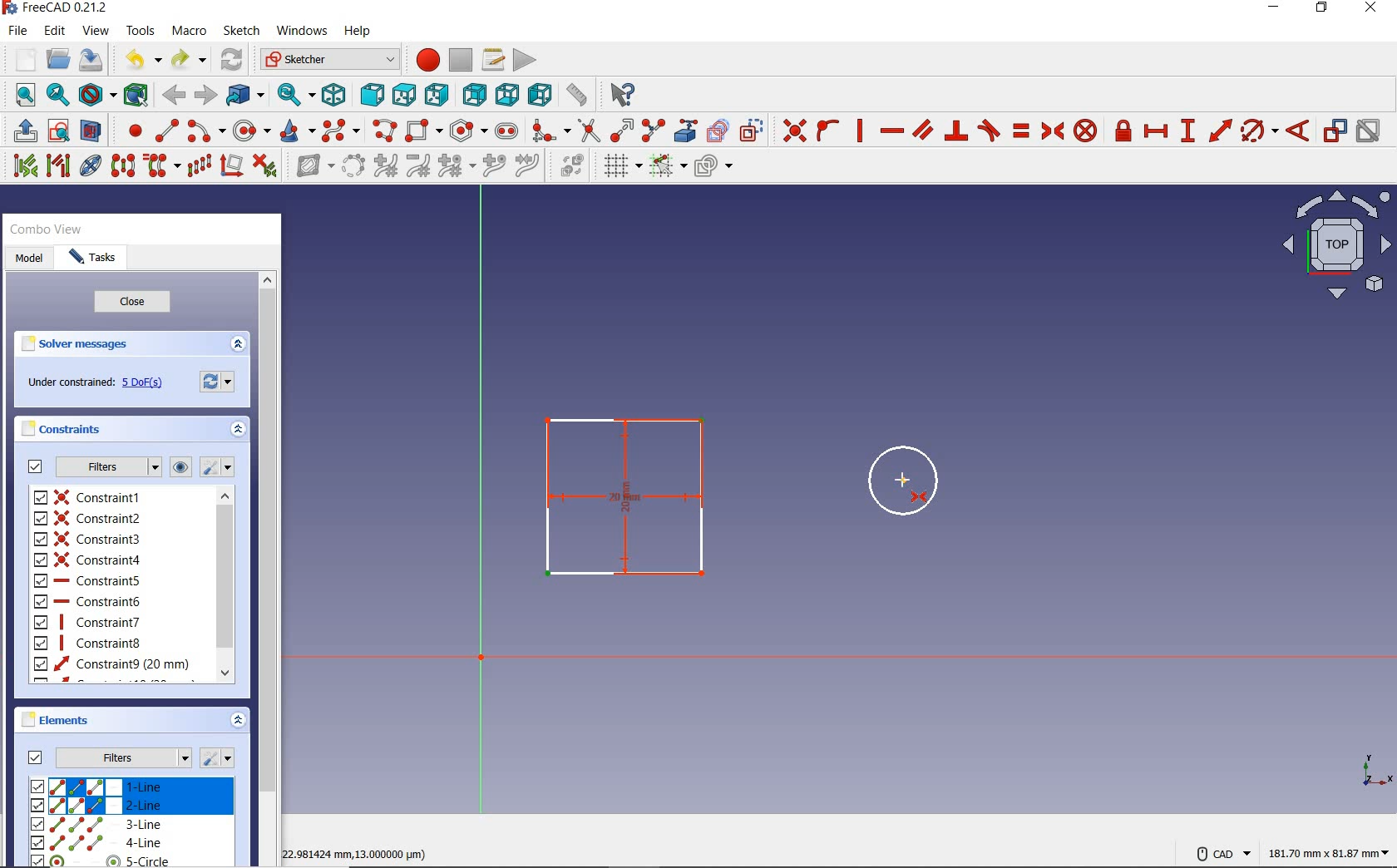  Describe the element at coordinates (220, 757) in the screenshot. I see `settings` at that location.